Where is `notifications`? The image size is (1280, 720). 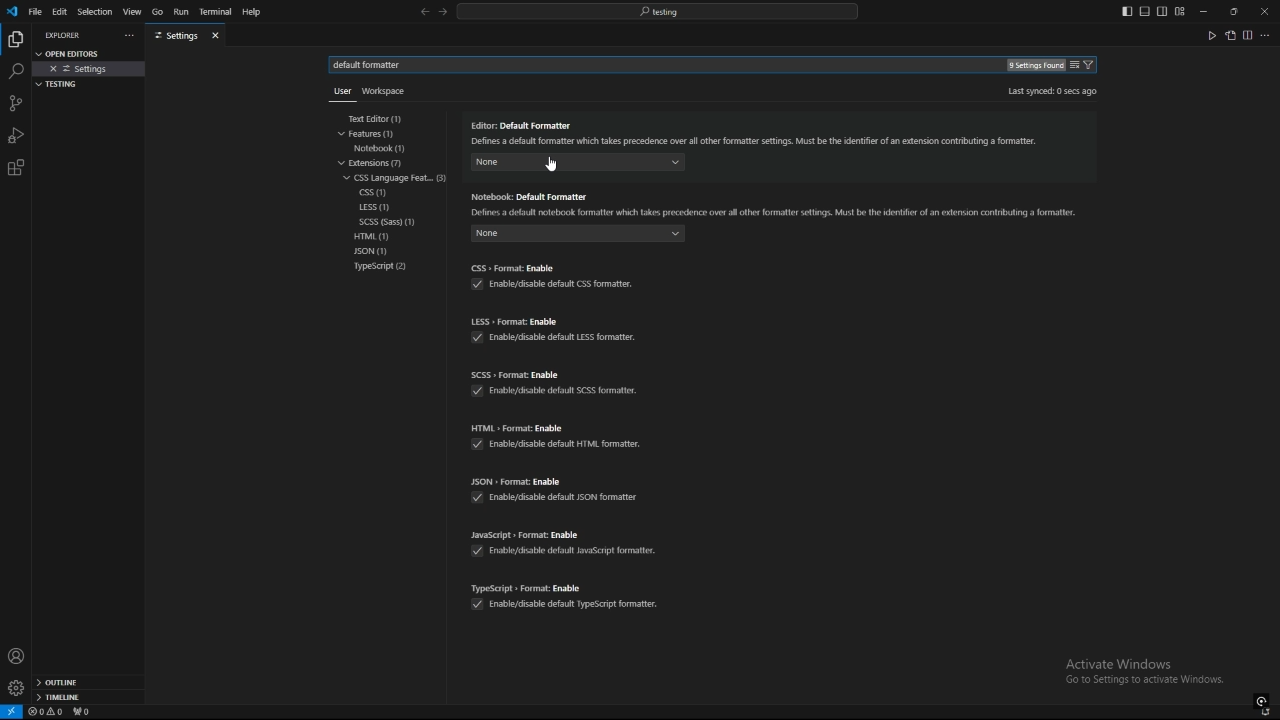
notifications is located at coordinates (1267, 713).